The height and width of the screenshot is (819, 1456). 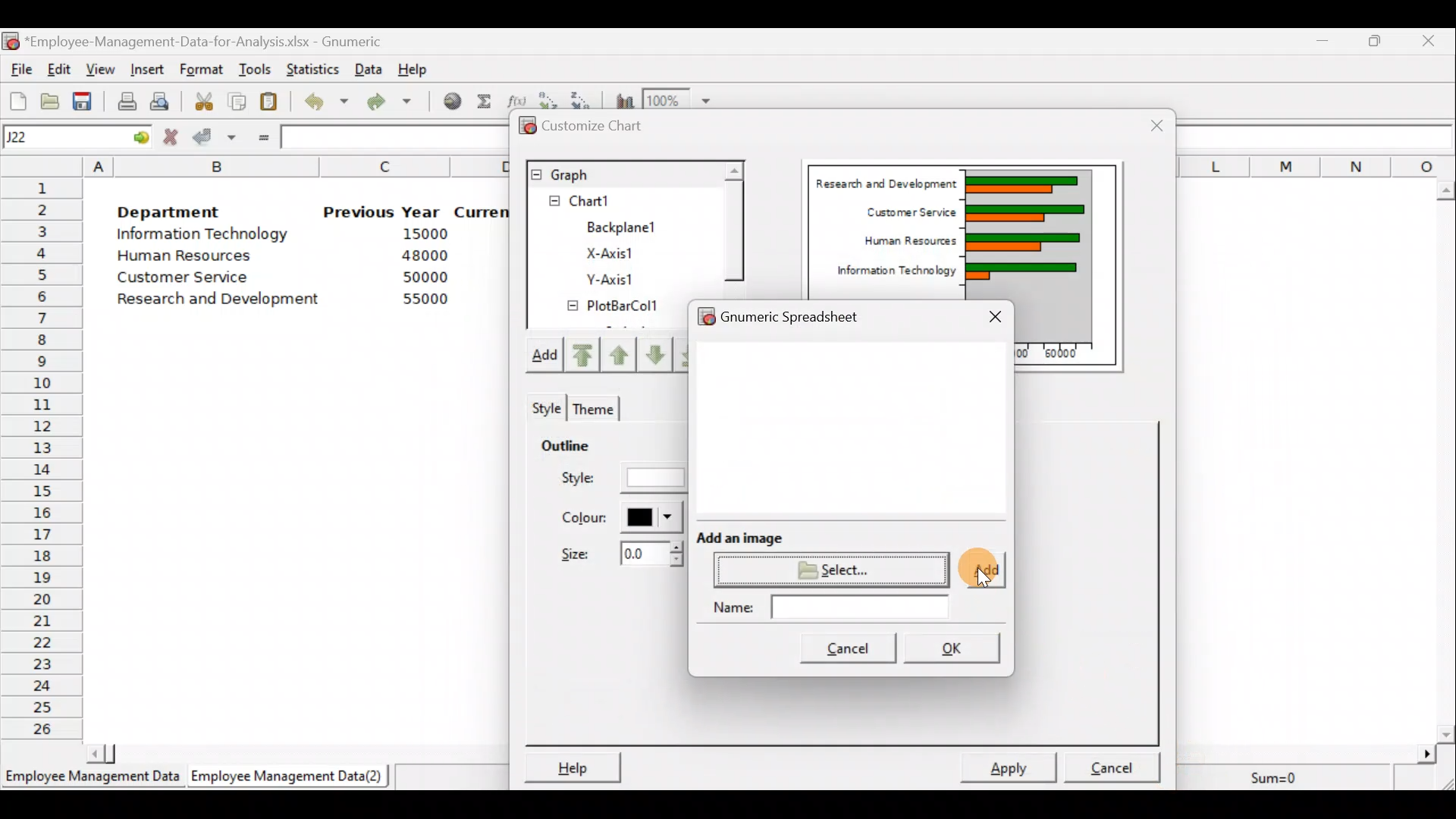 What do you see at coordinates (12, 41) in the screenshot?
I see `Gnumeric logo` at bounding box center [12, 41].